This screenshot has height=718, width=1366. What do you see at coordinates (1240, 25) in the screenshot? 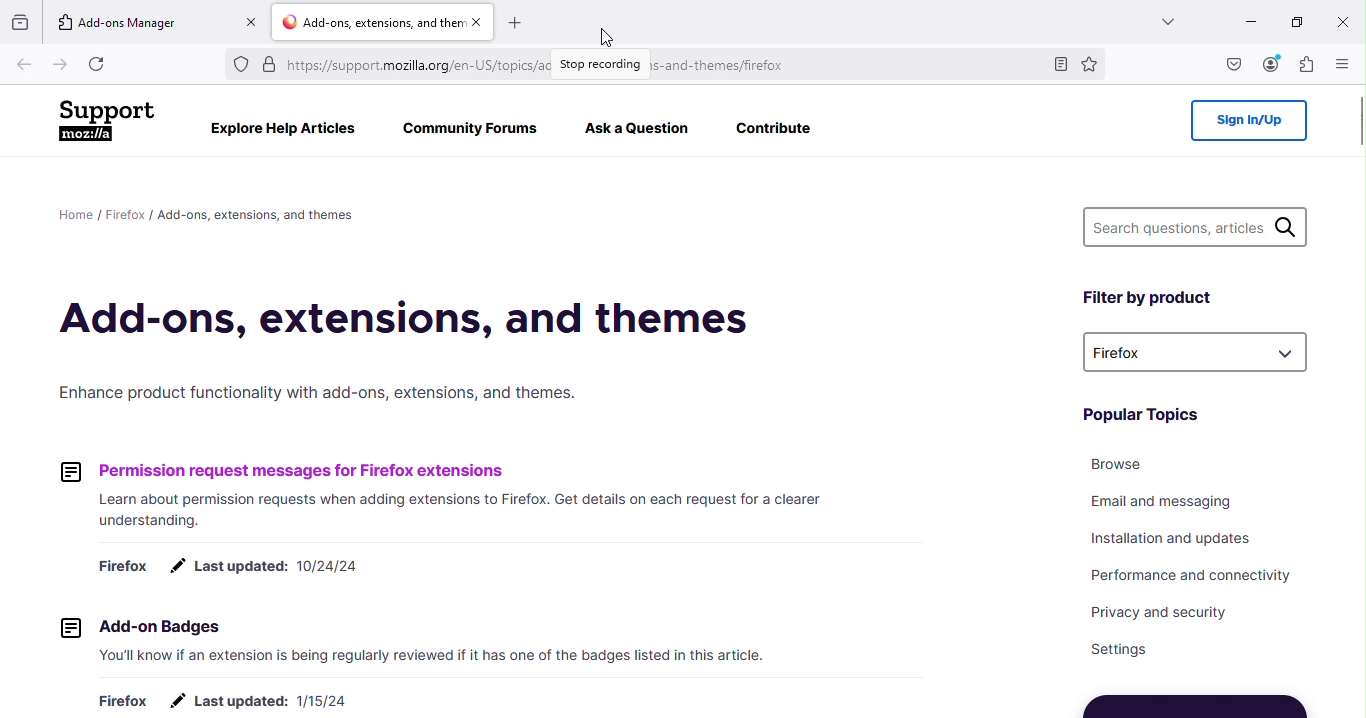
I see `Minimize` at bounding box center [1240, 25].